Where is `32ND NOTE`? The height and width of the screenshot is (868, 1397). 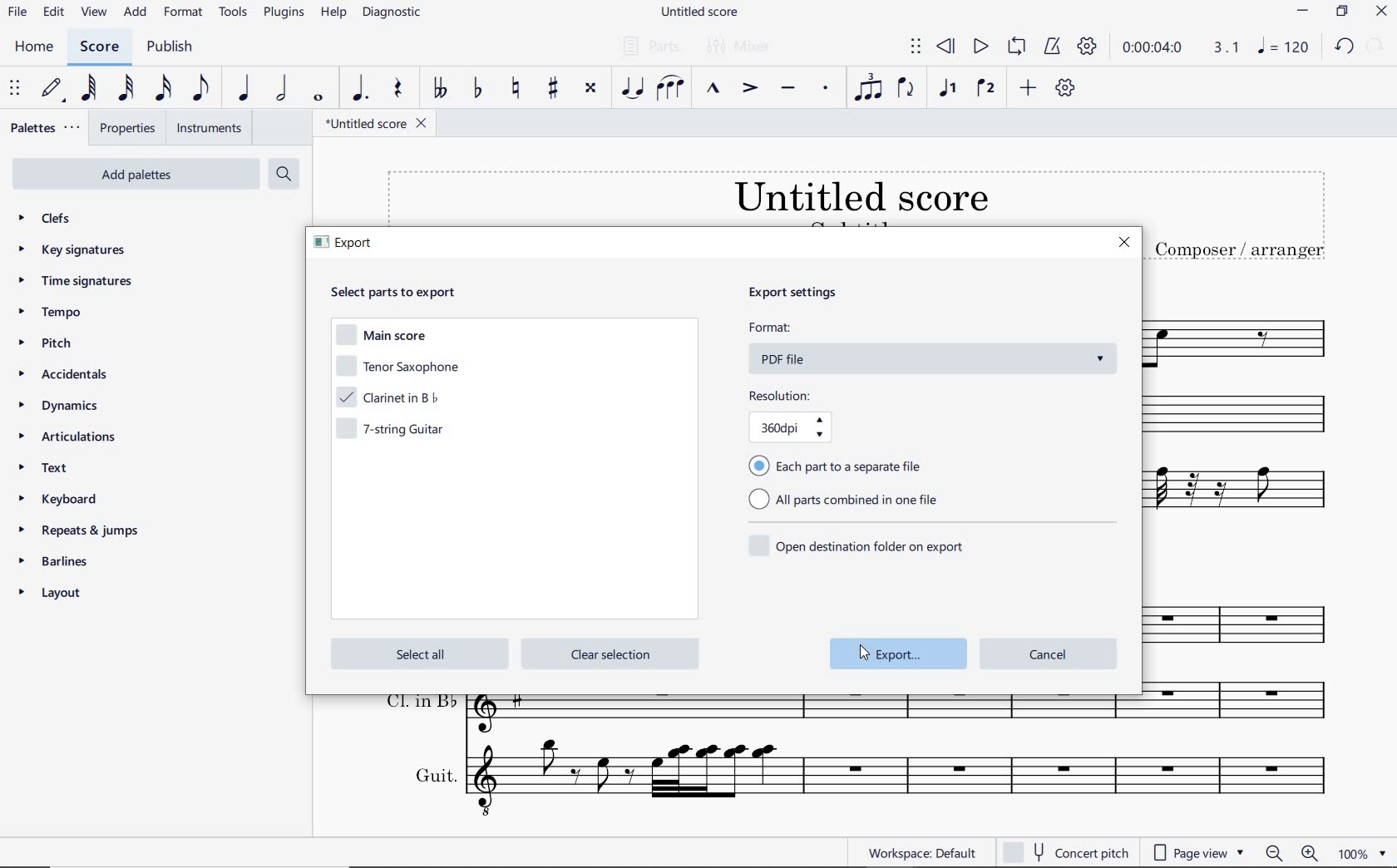
32ND NOTE is located at coordinates (126, 89).